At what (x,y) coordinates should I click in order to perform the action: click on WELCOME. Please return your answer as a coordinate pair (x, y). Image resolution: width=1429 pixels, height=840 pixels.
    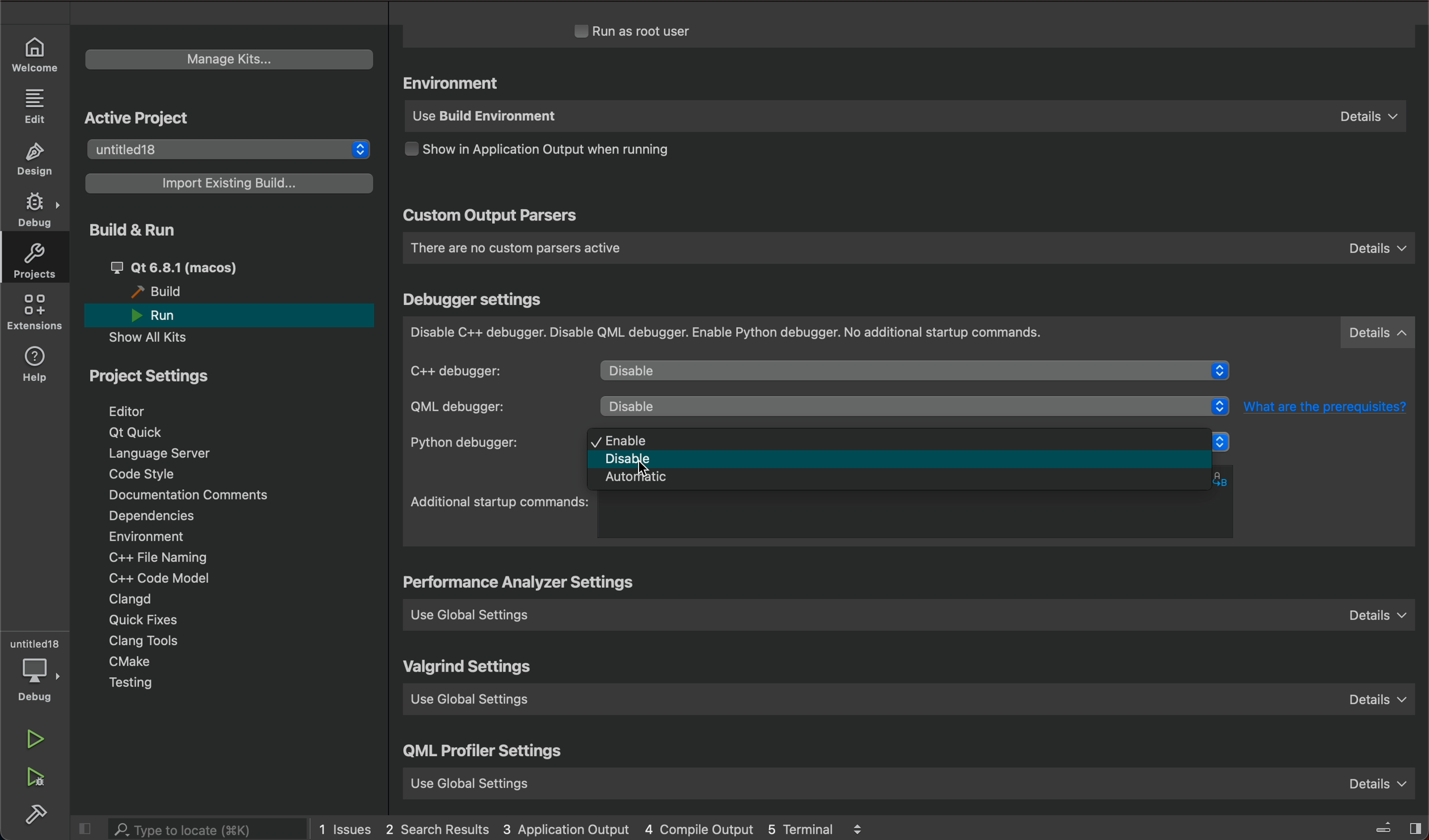
    Looking at the image, I should click on (35, 53).